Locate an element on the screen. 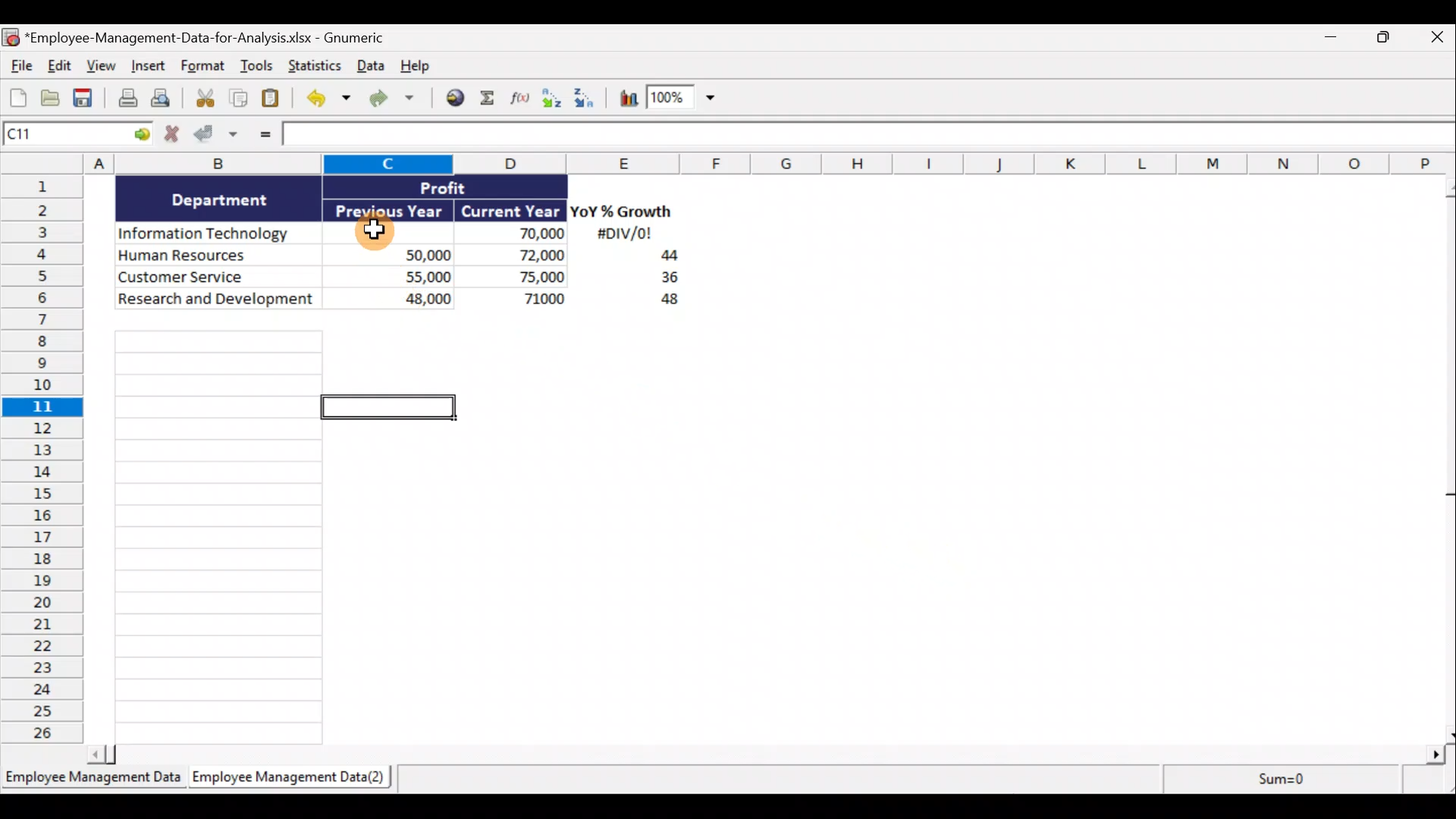 The image size is (1456, 819). Copy selection is located at coordinates (239, 99).